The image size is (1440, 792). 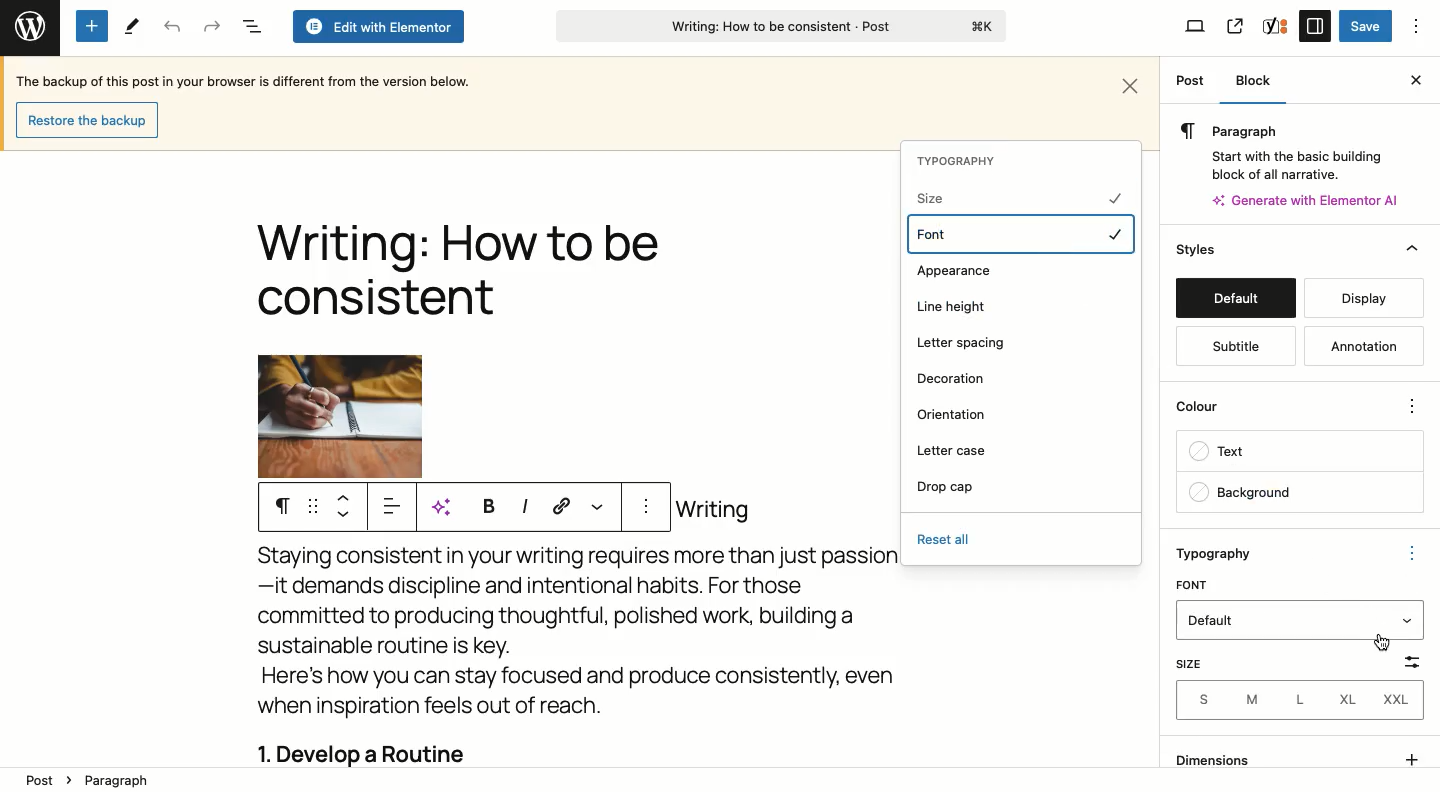 I want to click on Reset all, so click(x=946, y=539).